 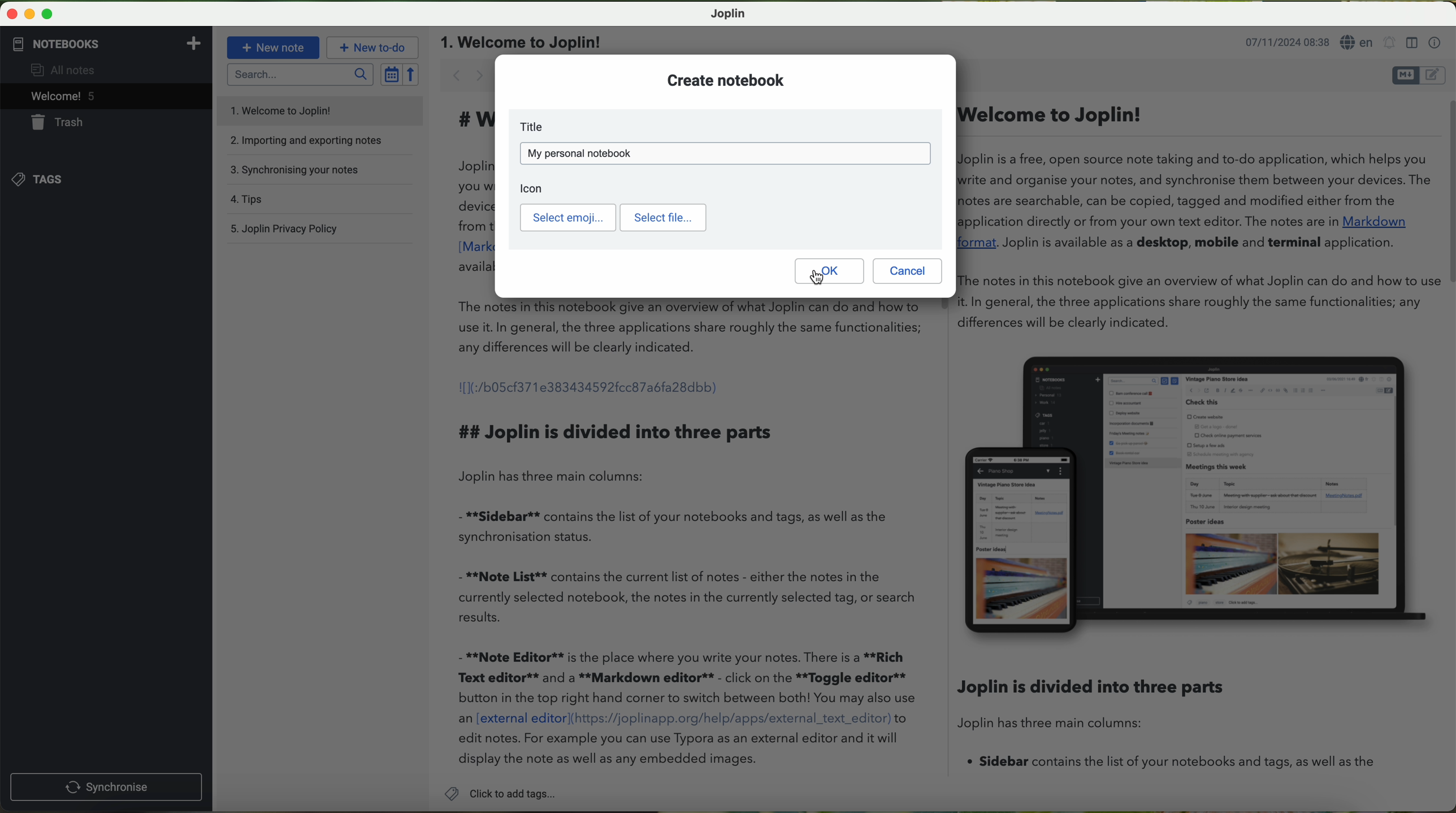 What do you see at coordinates (1435, 41) in the screenshot?
I see `note properties` at bounding box center [1435, 41].